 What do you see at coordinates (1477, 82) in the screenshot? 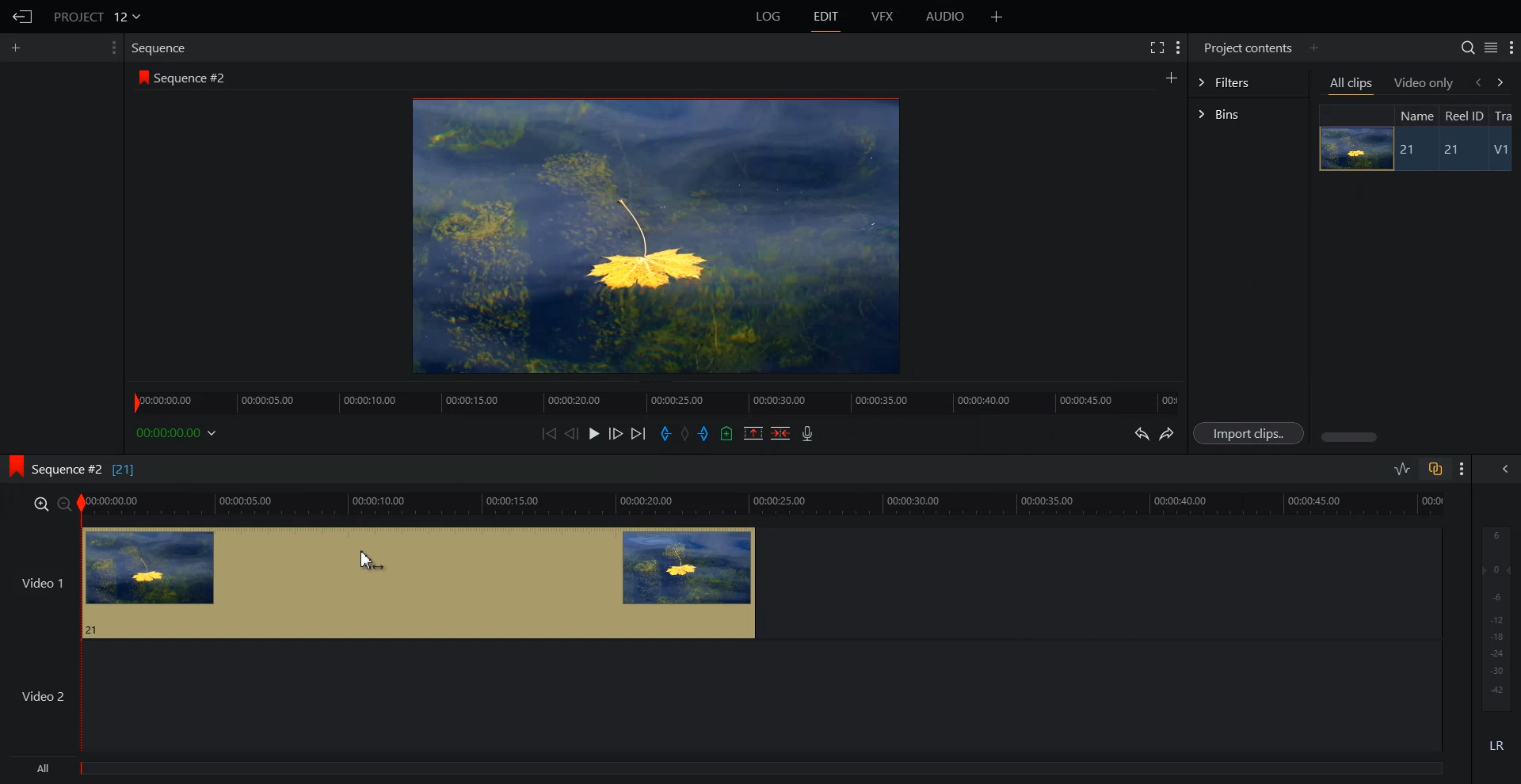
I see `backward` at bounding box center [1477, 82].